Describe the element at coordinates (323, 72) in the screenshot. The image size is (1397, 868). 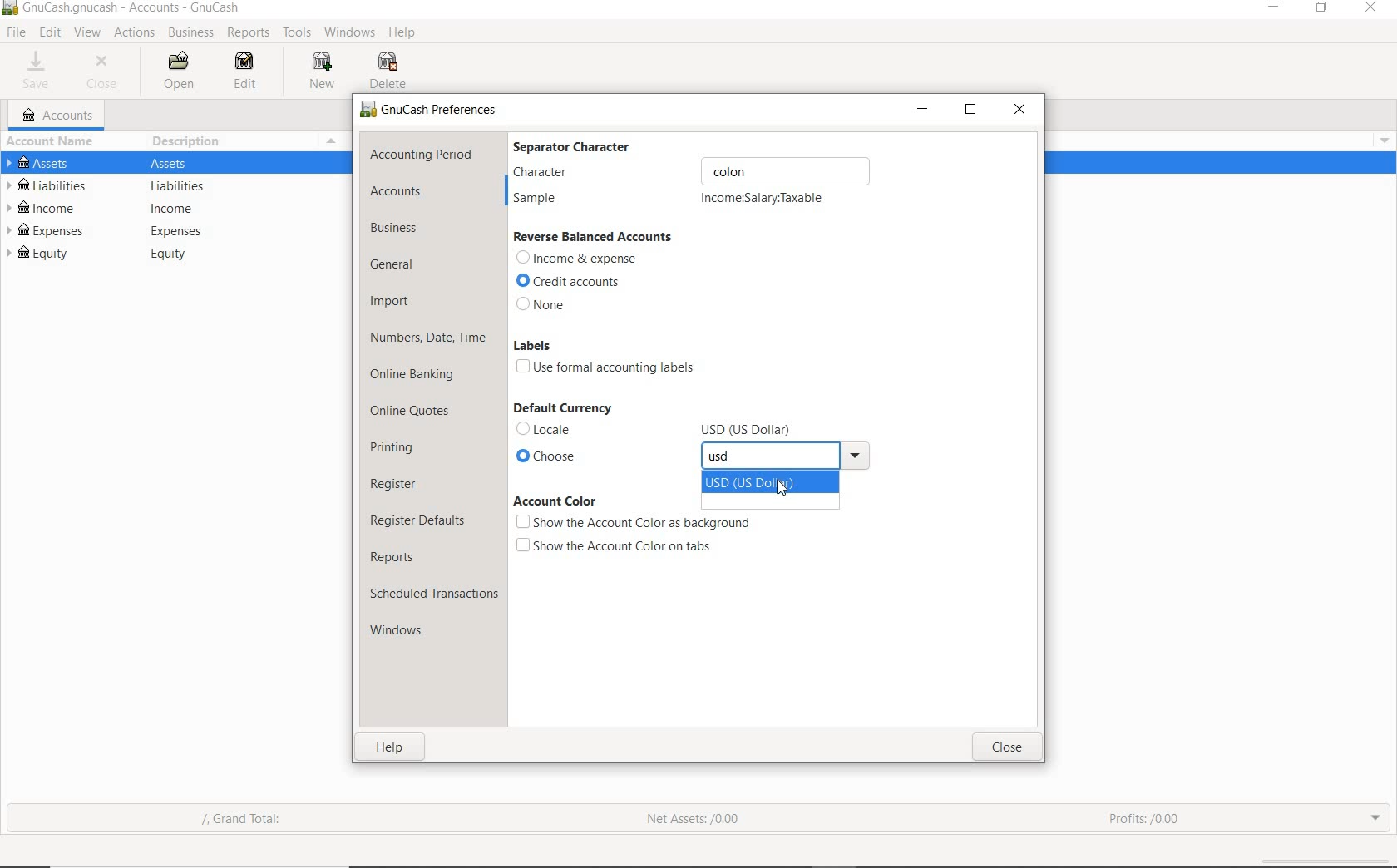
I see `NEW` at that location.